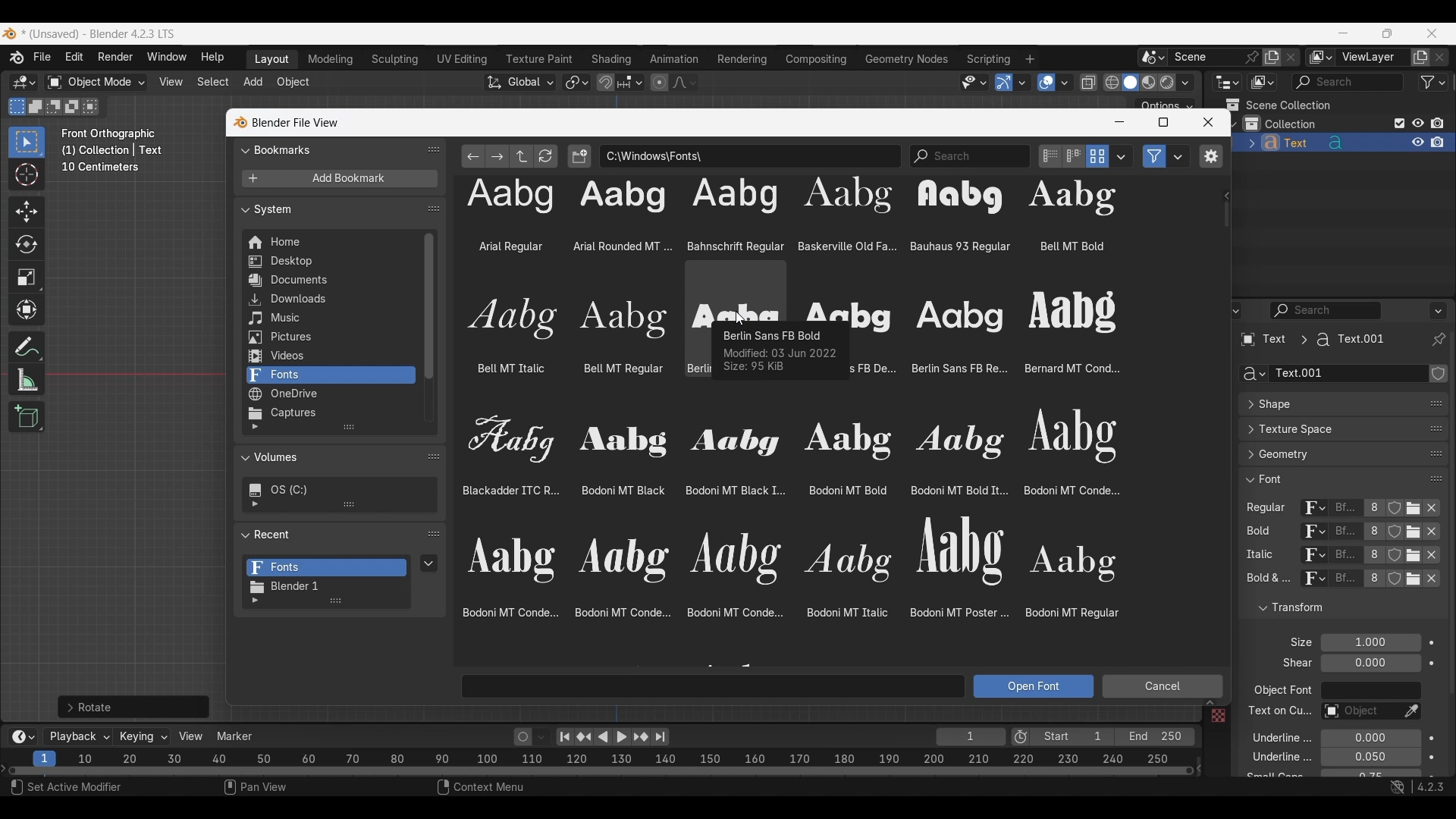 The image size is (1456, 819). Describe the element at coordinates (1227, 215) in the screenshot. I see `Cursor selecting vertical slide bar` at that location.